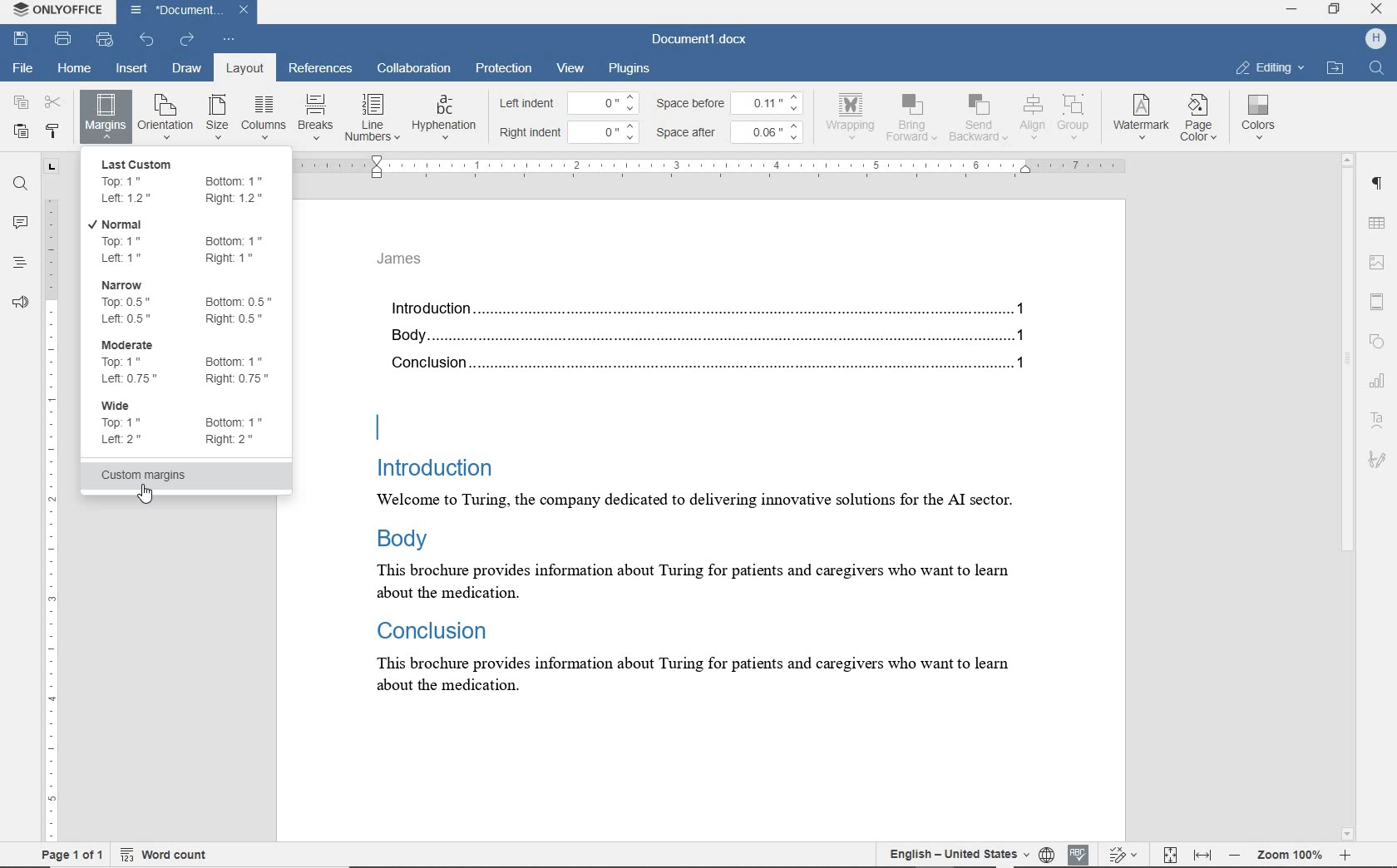 The height and width of the screenshot is (868, 1397). Describe the element at coordinates (1074, 116) in the screenshot. I see `group` at that location.